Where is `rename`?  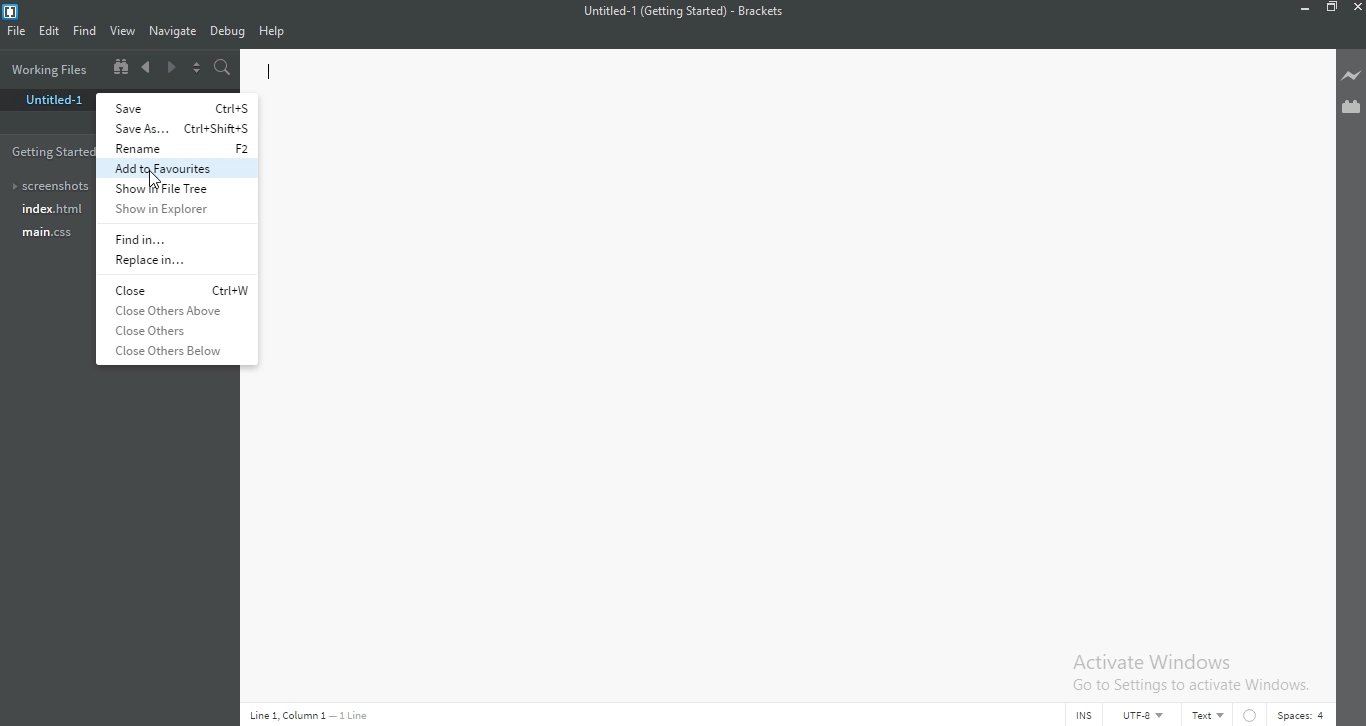 rename is located at coordinates (180, 150).